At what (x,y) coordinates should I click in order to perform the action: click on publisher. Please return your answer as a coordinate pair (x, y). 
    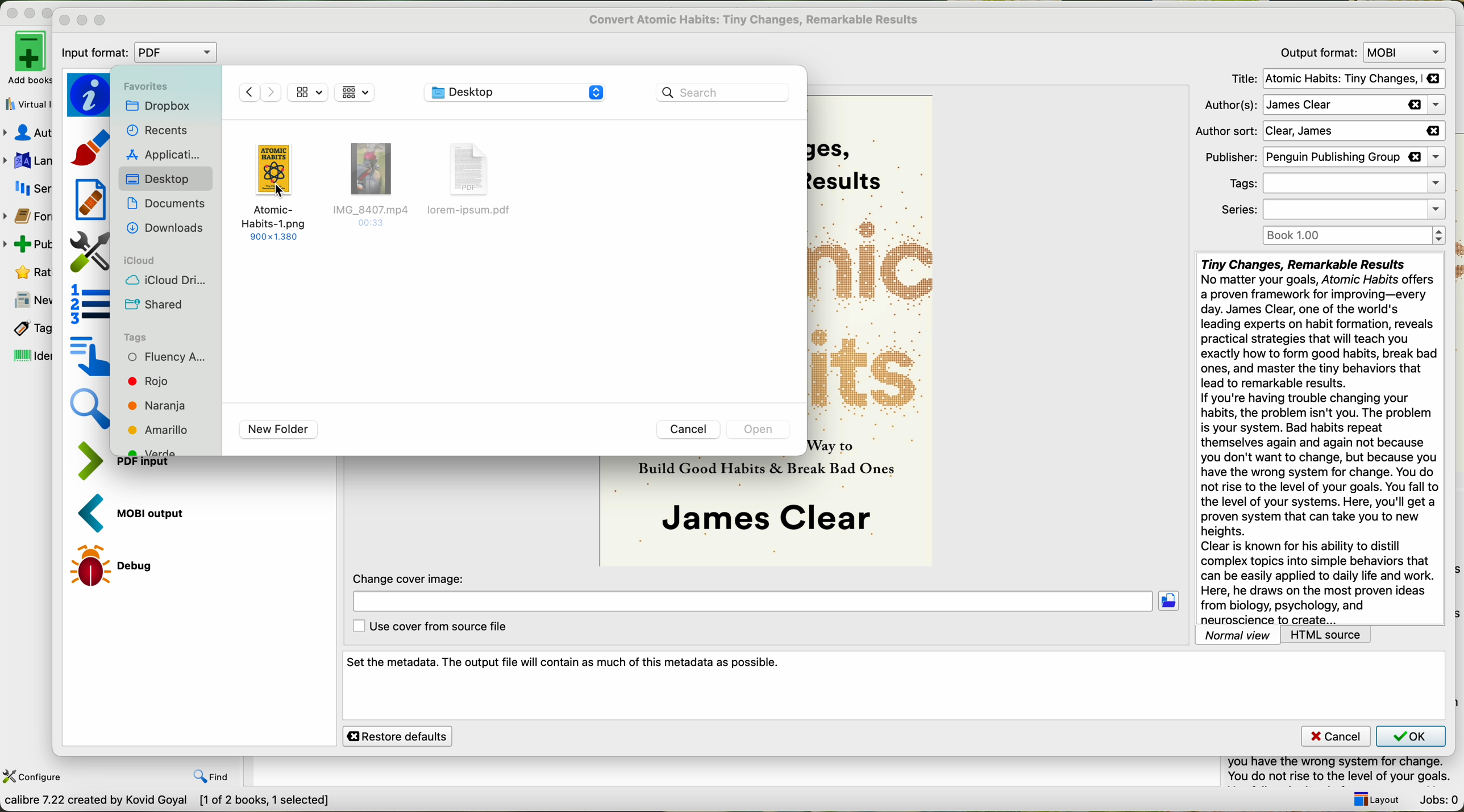
    Looking at the image, I should click on (1322, 157).